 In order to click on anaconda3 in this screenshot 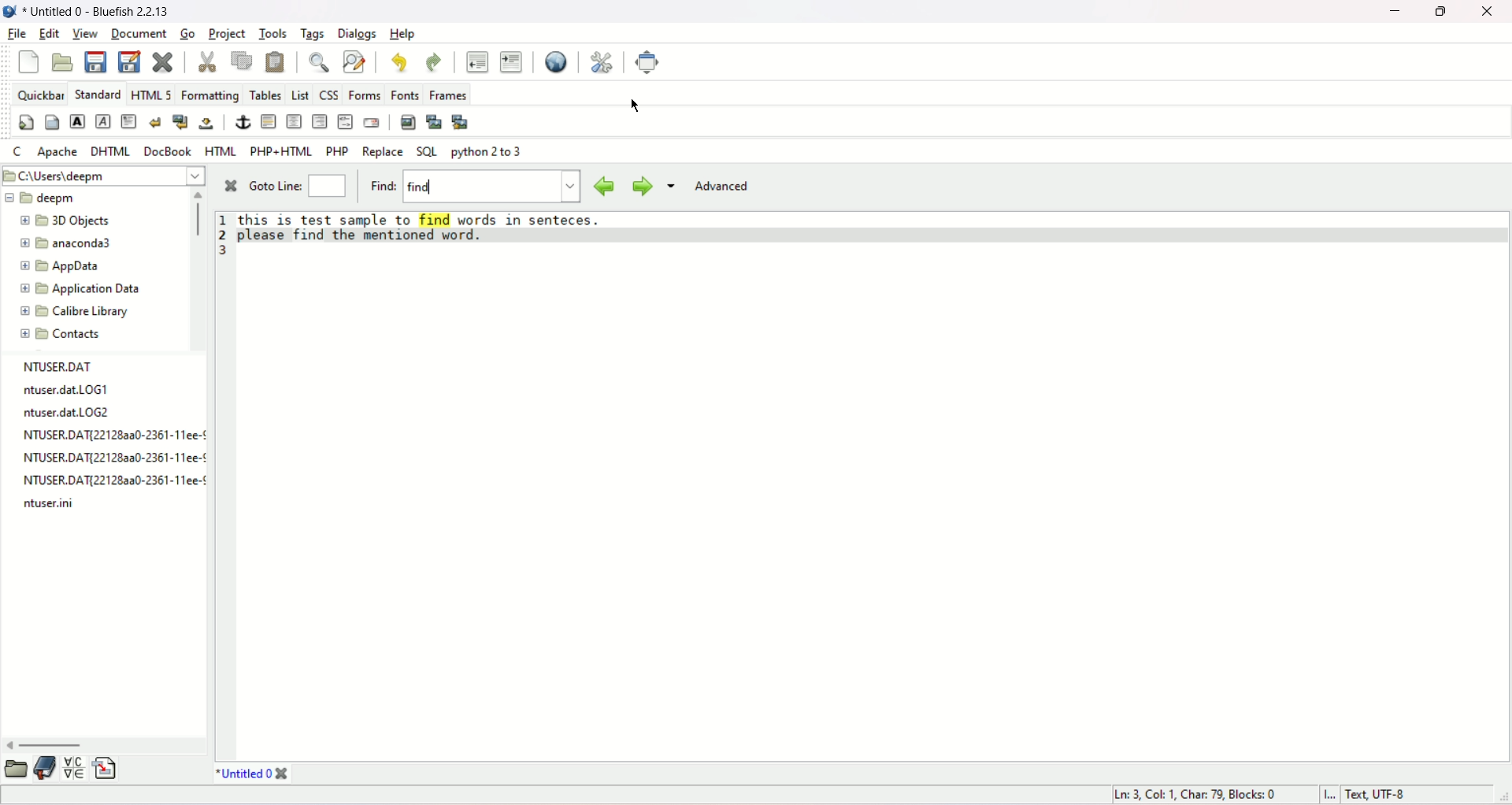, I will do `click(66, 244)`.